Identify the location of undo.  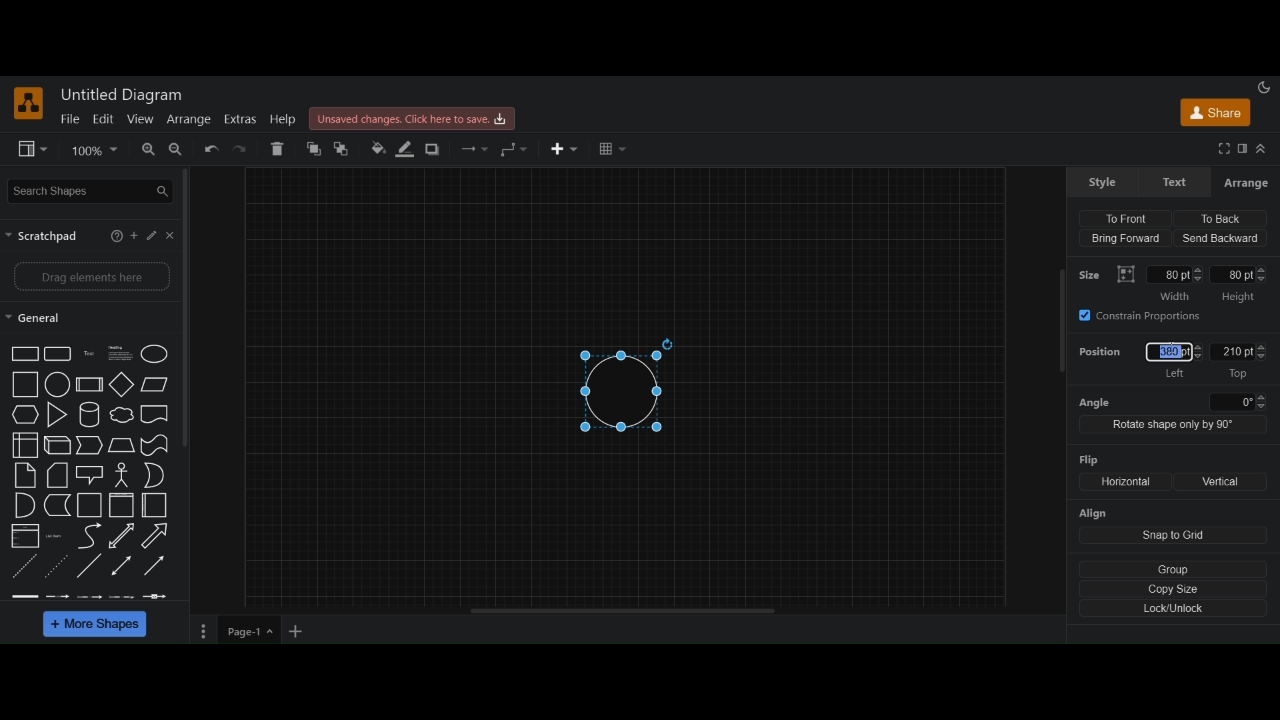
(213, 149).